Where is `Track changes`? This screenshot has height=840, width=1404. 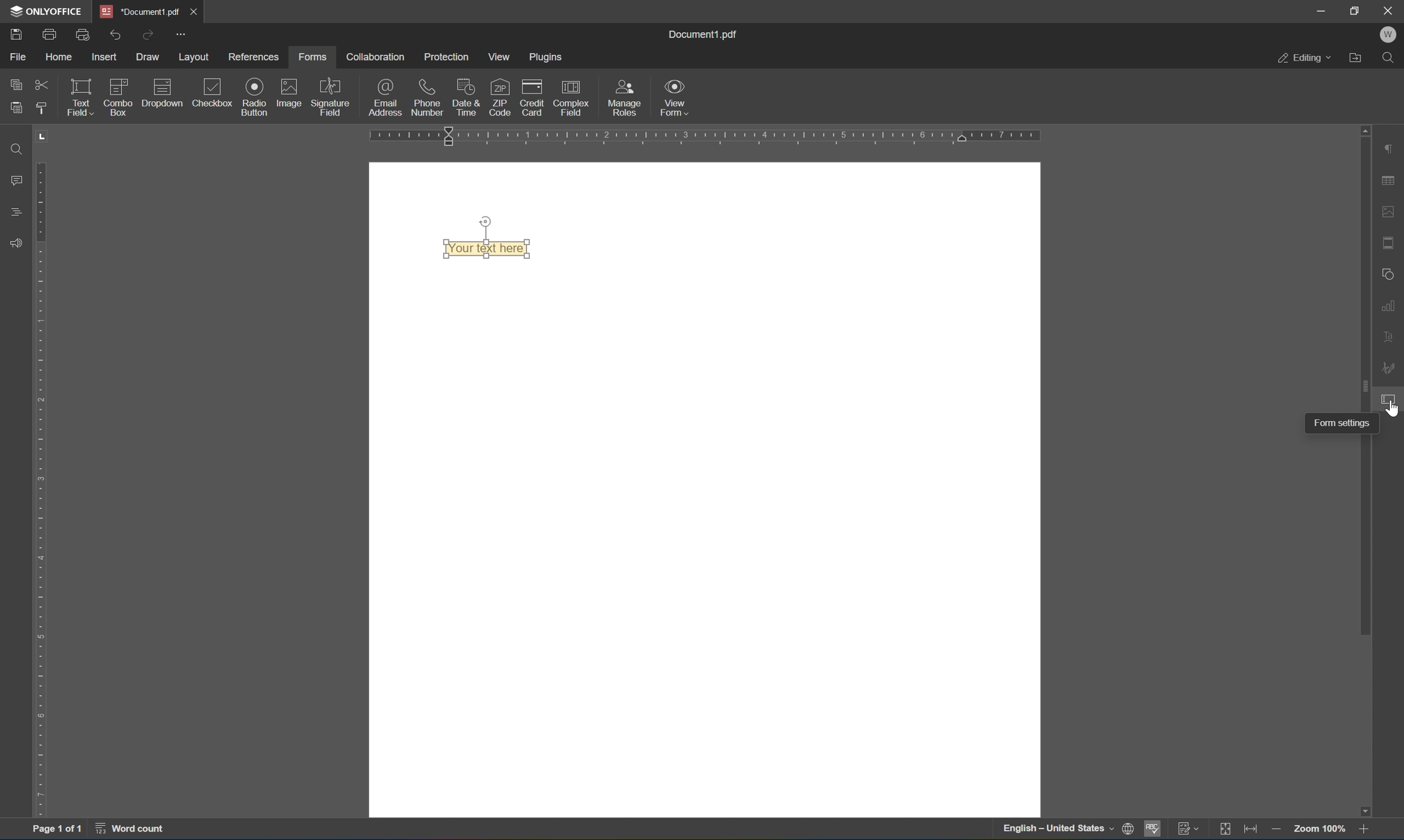
Track changes is located at coordinates (1227, 830).